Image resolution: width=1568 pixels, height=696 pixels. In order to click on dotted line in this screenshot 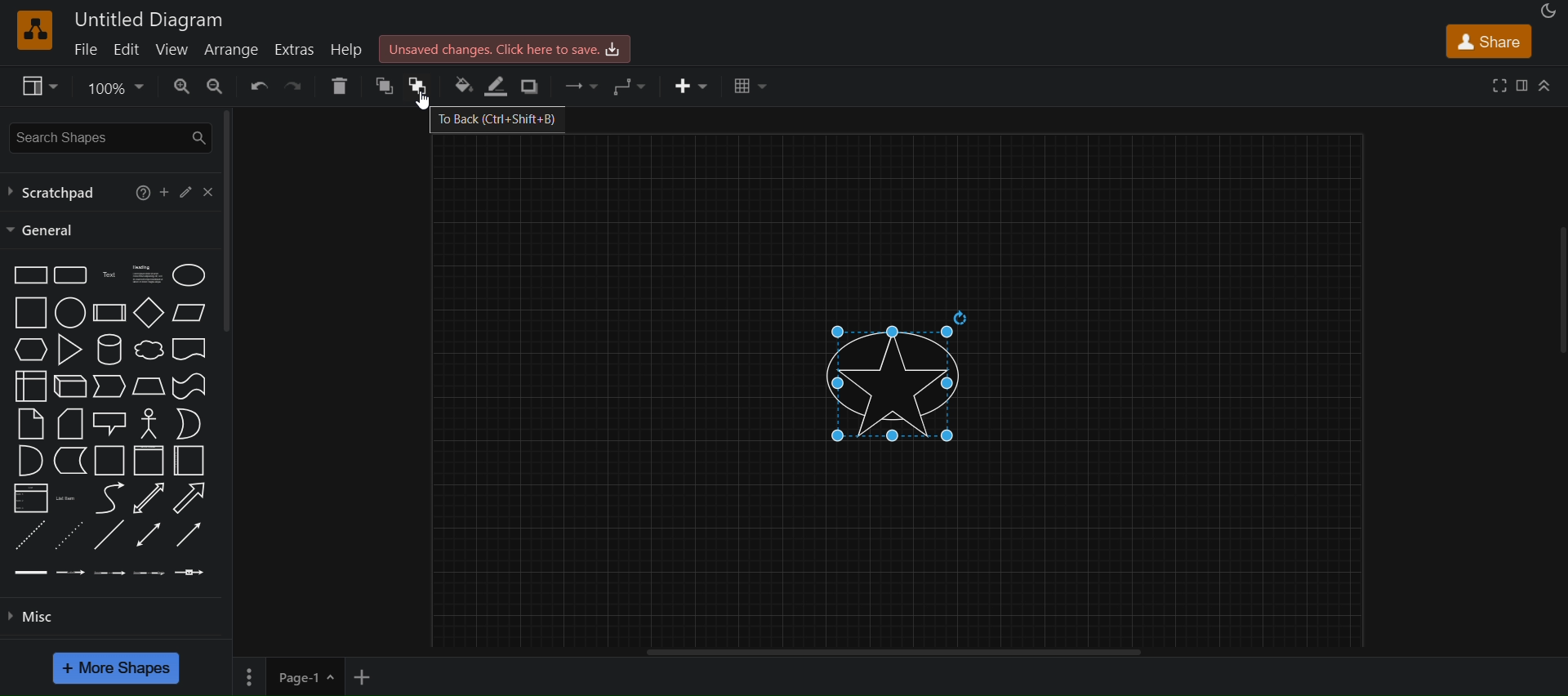, I will do `click(70, 533)`.